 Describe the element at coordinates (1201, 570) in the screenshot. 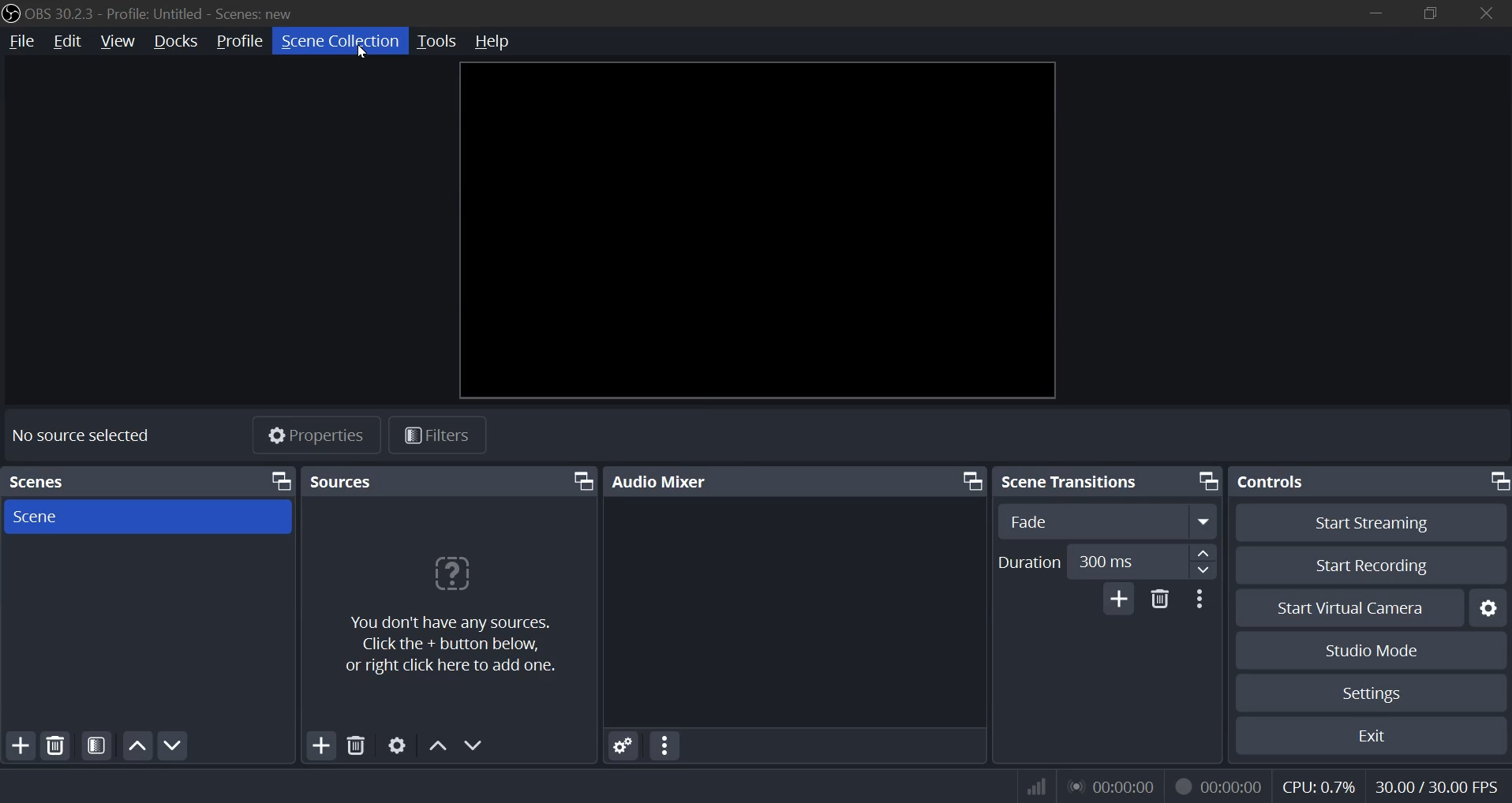

I see `down` at that location.